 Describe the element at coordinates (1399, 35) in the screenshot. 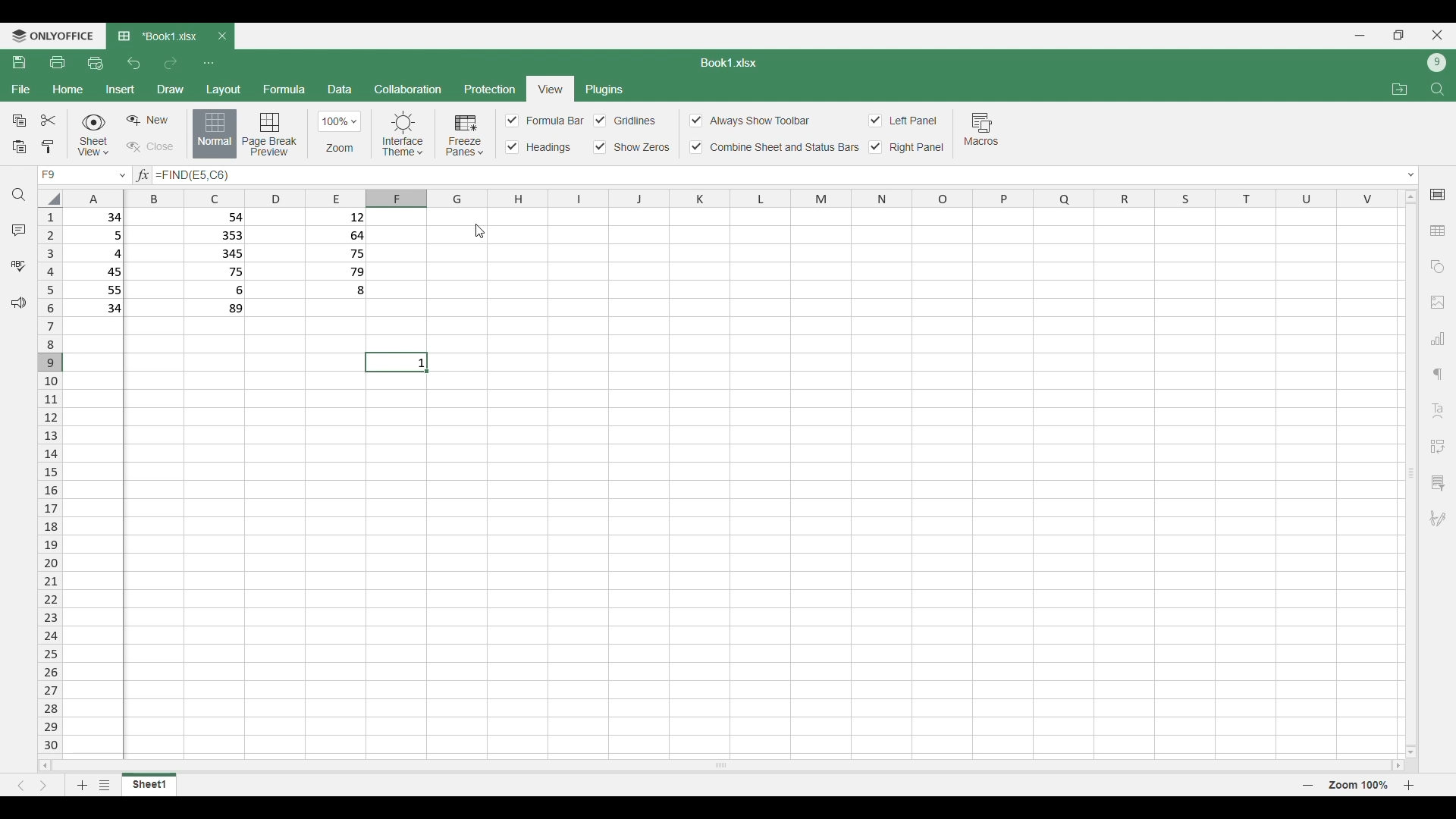

I see `Show in smaller tab` at that location.